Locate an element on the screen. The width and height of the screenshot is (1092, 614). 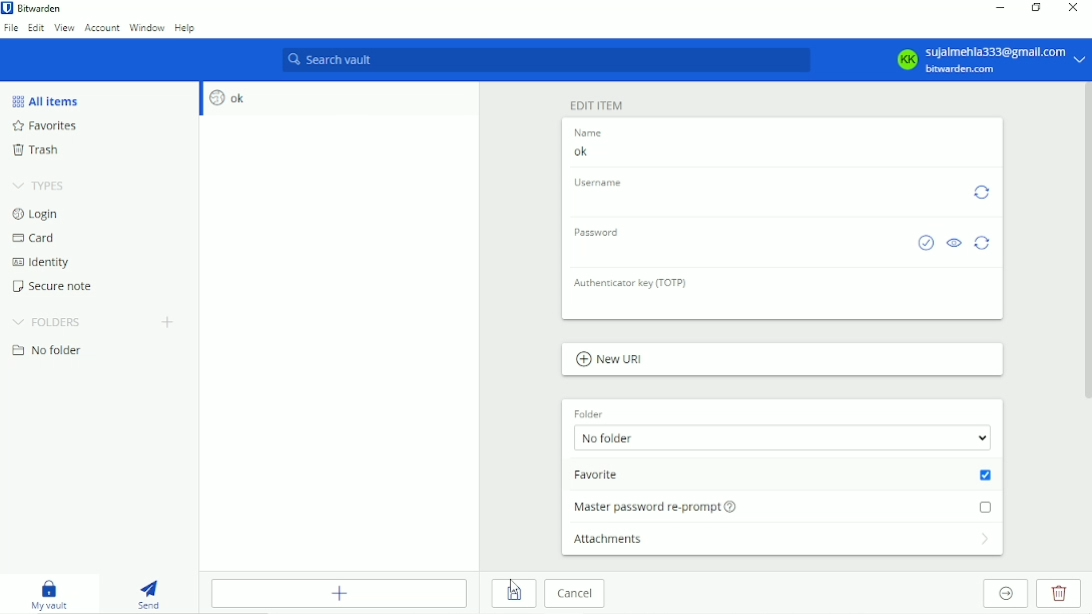
Types is located at coordinates (41, 183).